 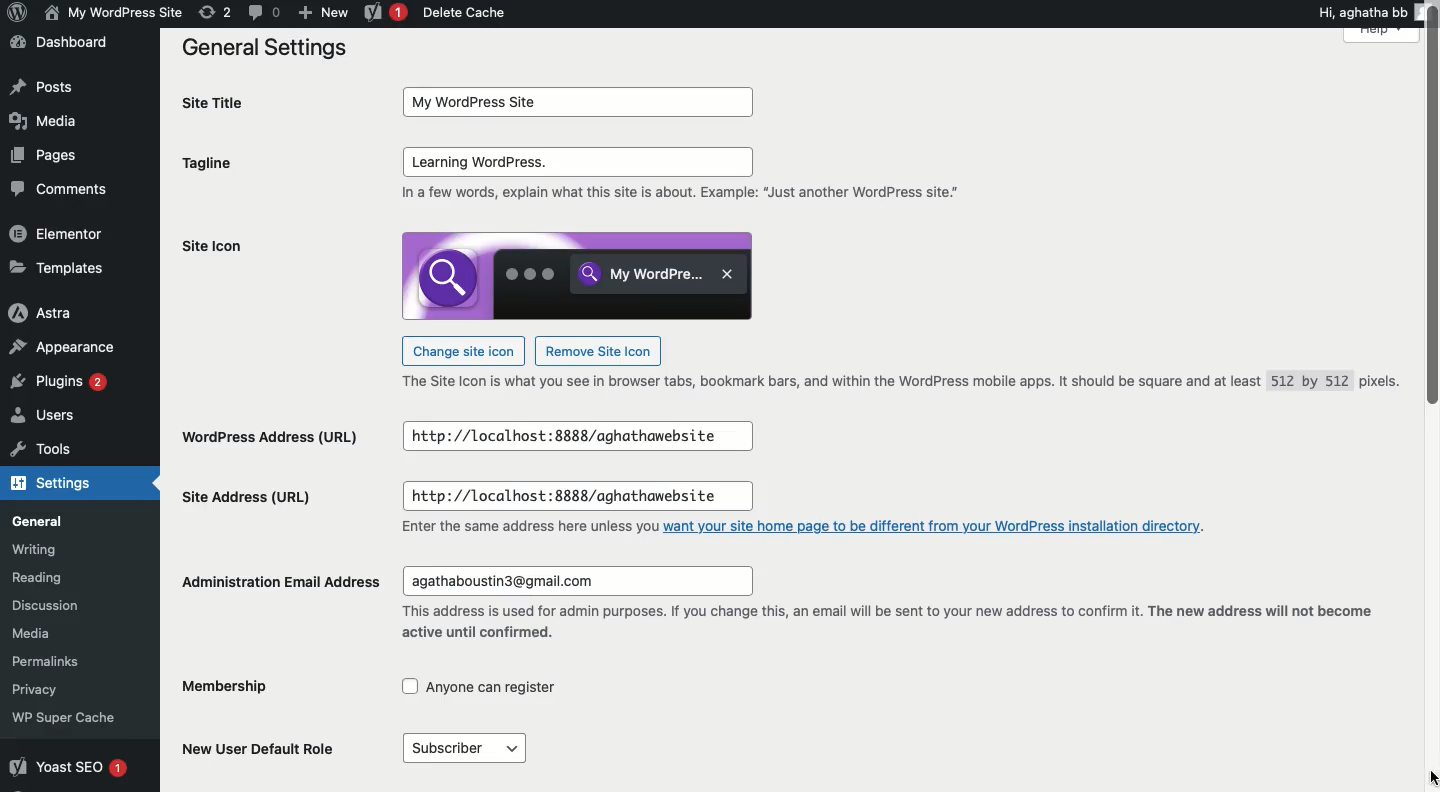 What do you see at coordinates (679, 200) in the screenshot?
I see `In a few words, explain what this site is about. Example: “Just another WordPress site.”` at bounding box center [679, 200].